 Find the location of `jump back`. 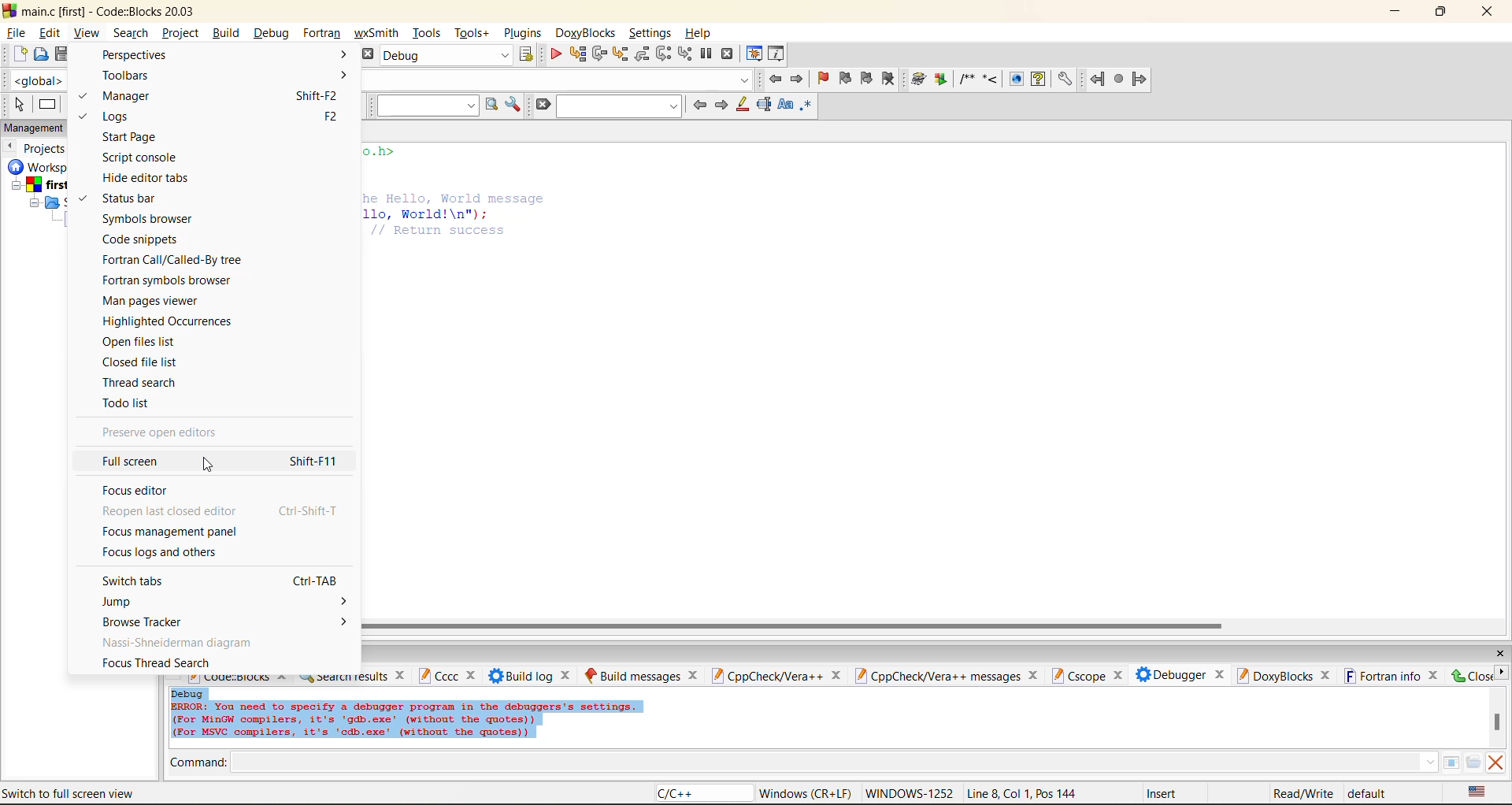

jump back is located at coordinates (773, 80).